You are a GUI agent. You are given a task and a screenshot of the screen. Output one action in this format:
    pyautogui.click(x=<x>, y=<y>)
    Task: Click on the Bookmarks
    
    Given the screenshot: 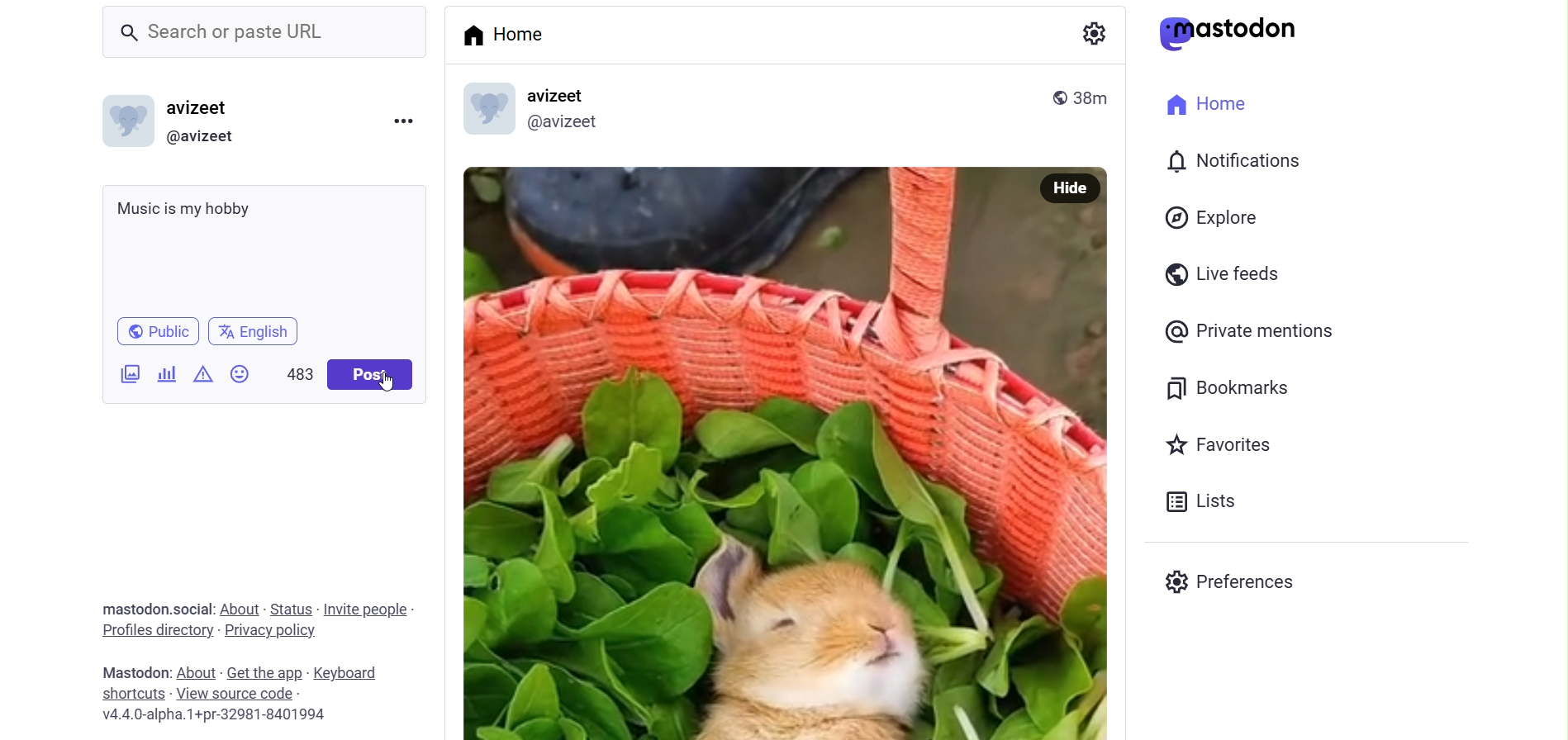 What is the action you would take?
    pyautogui.click(x=1227, y=391)
    